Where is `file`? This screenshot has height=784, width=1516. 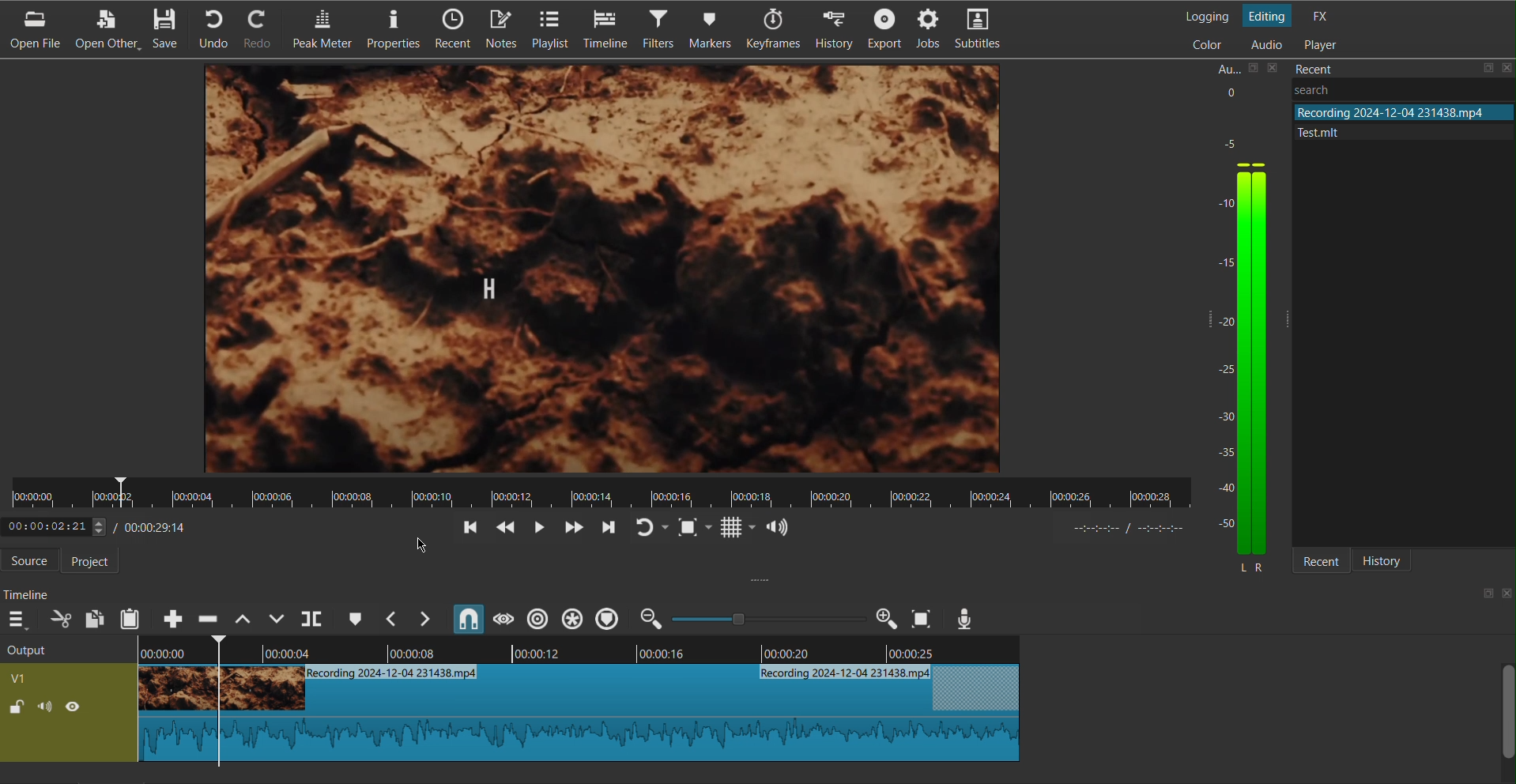
file is located at coordinates (1390, 130).